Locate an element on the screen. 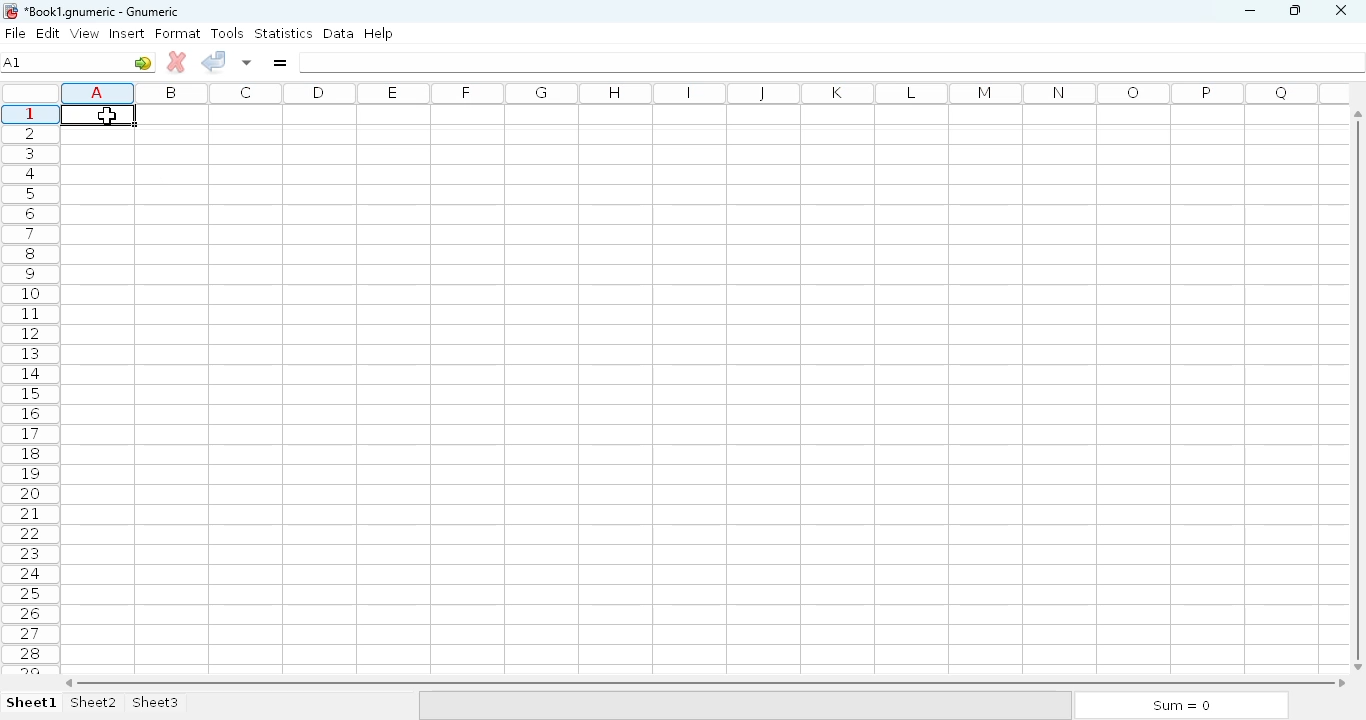  sheet1 is located at coordinates (32, 703).